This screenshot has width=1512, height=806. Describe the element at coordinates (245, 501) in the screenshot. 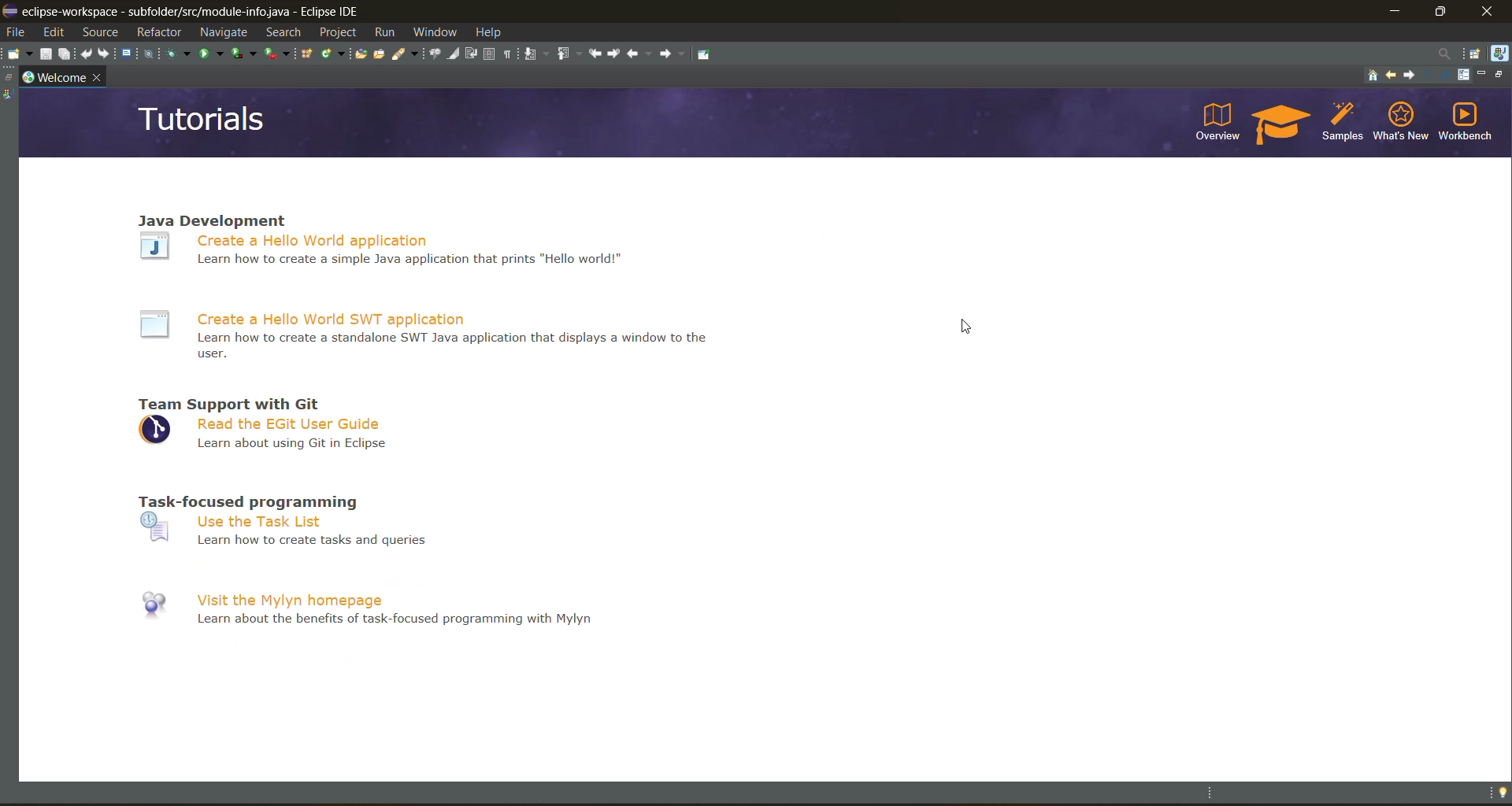

I see `task focused programming` at that location.